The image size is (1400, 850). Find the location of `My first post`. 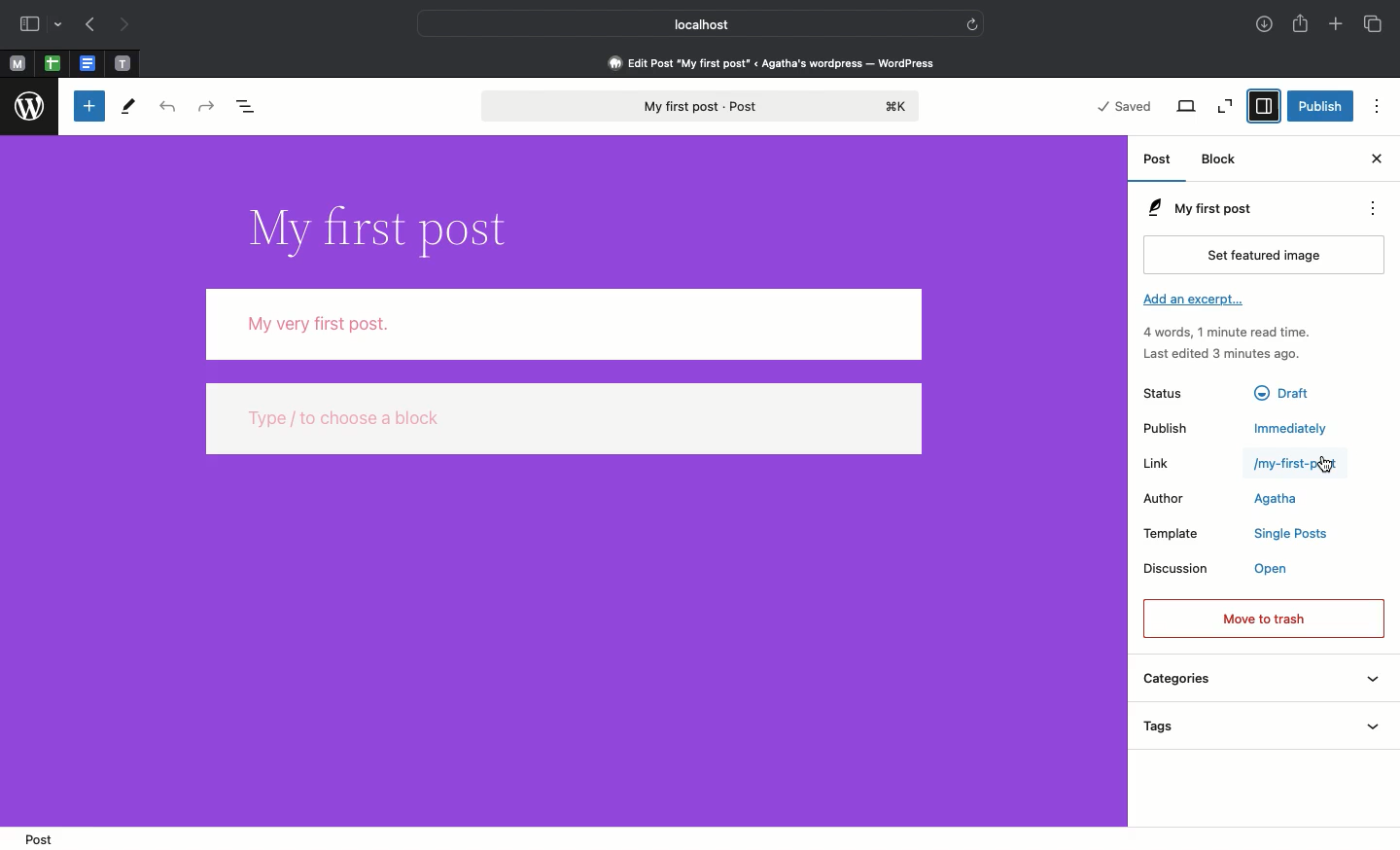

My first post is located at coordinates (704, 107).